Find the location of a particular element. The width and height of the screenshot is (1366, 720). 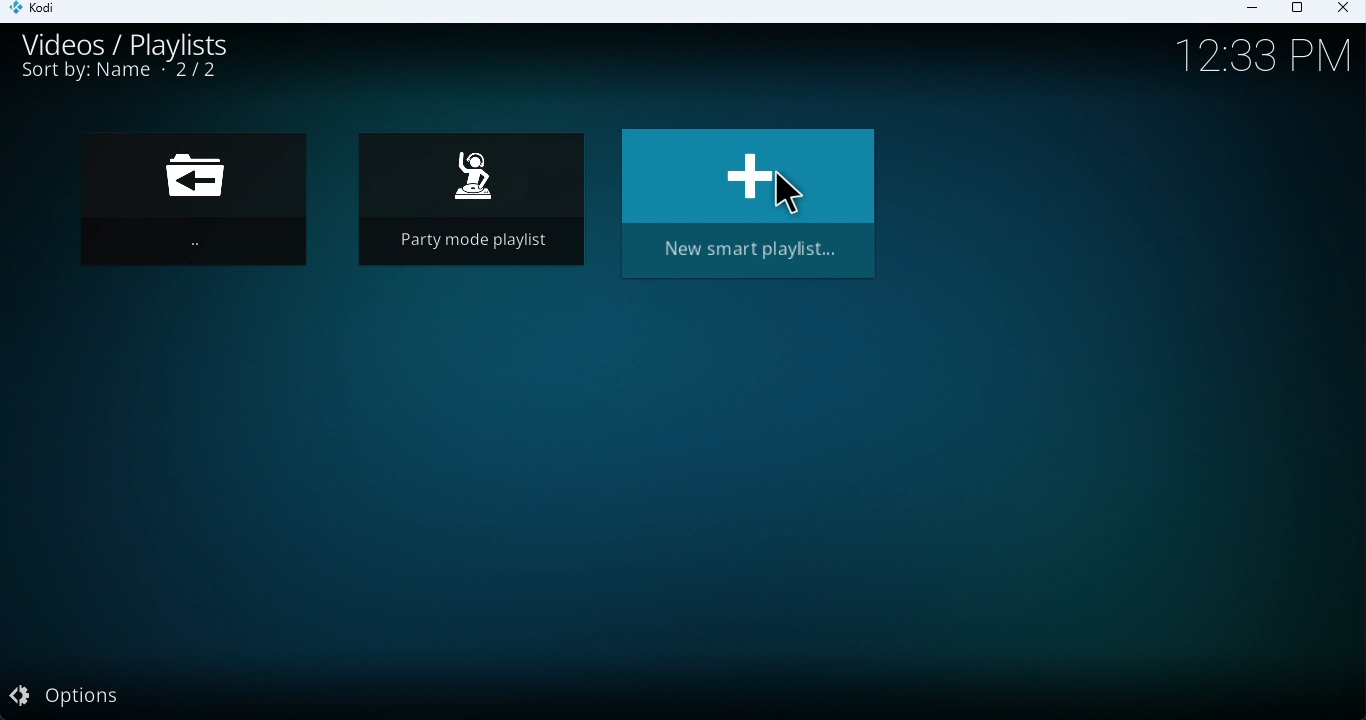

New smart playlist is located at coordinates (750, 204).